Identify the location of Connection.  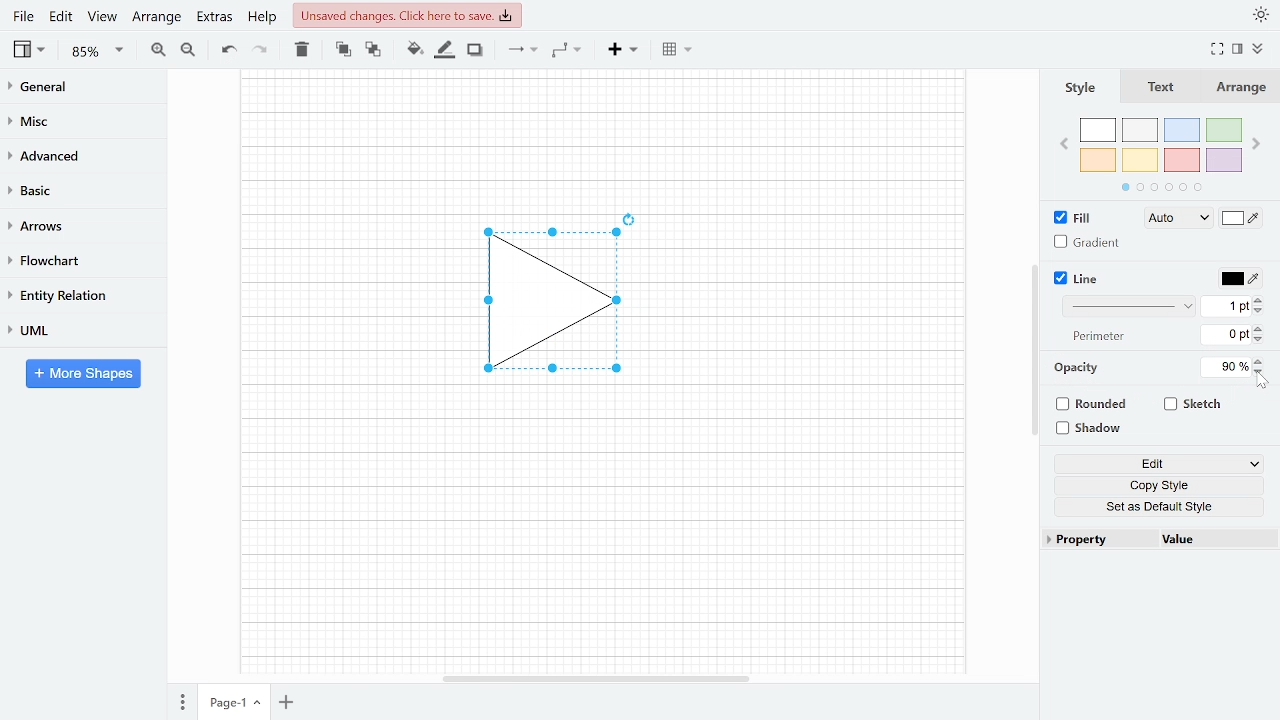
(522, 49).